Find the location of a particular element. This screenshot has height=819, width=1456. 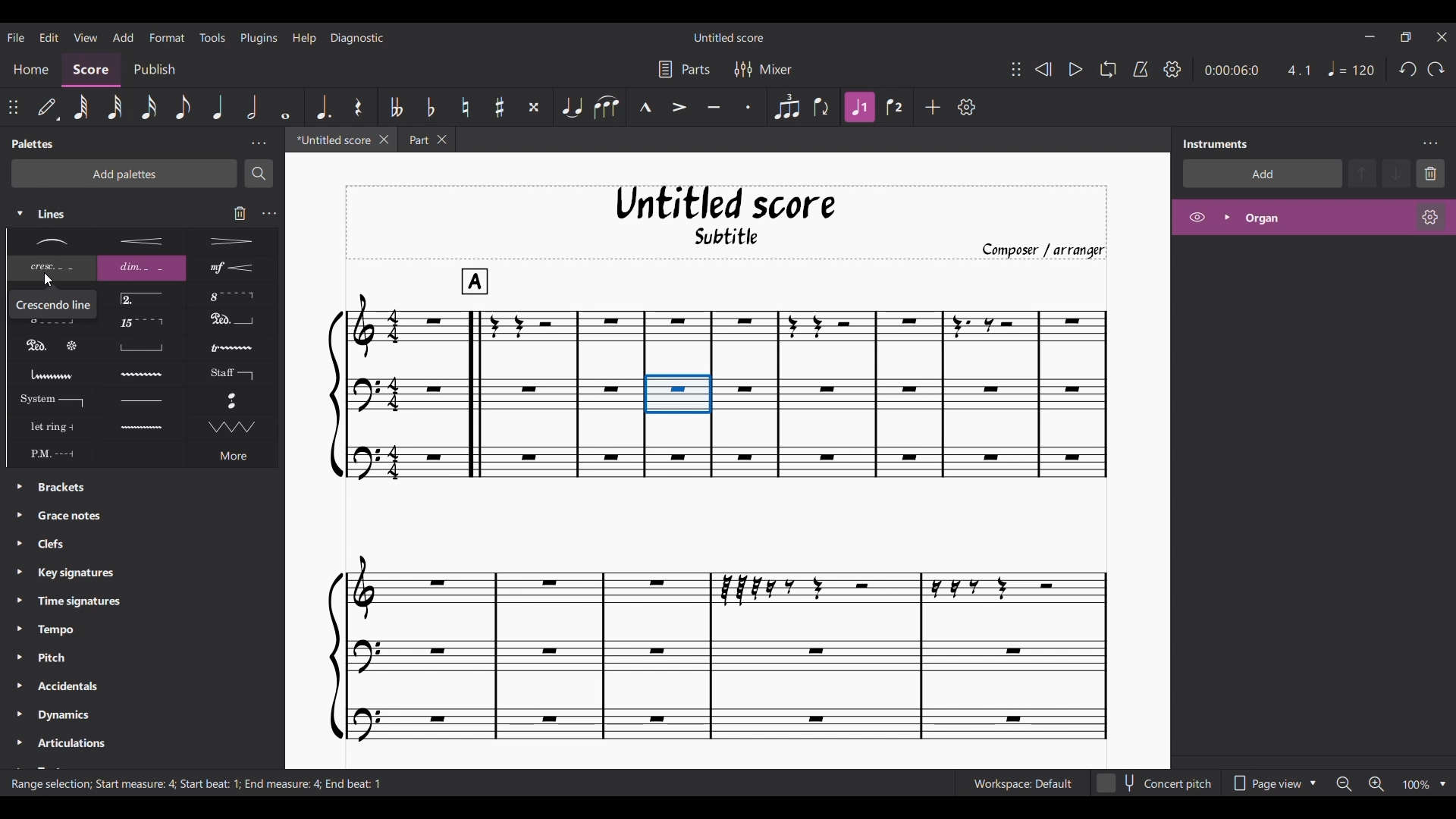

Close interface is located at coordinates (1442, 37).